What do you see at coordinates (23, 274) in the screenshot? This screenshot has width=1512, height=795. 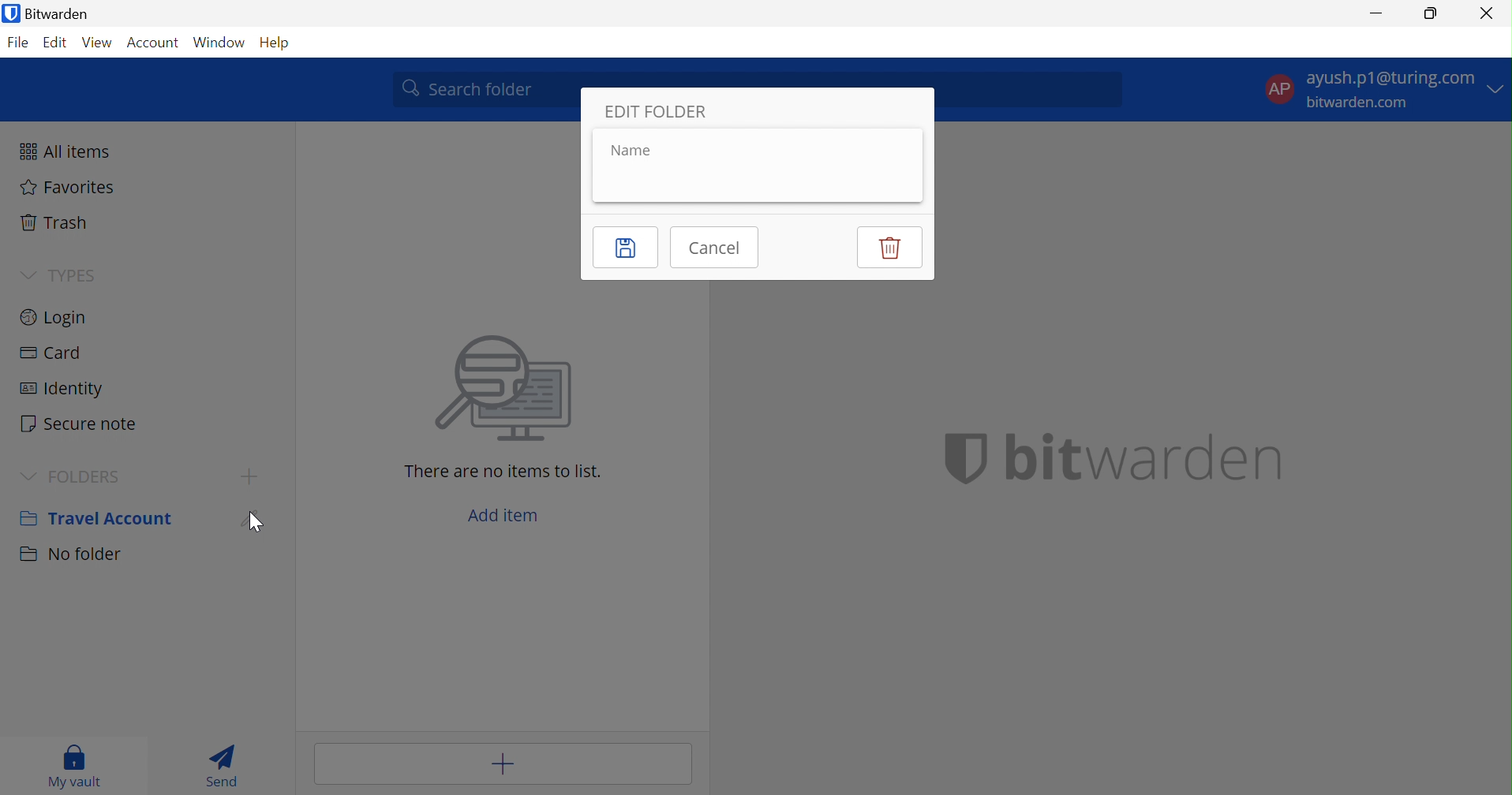 I see `Drop Down` at bounding box center [23, 274].